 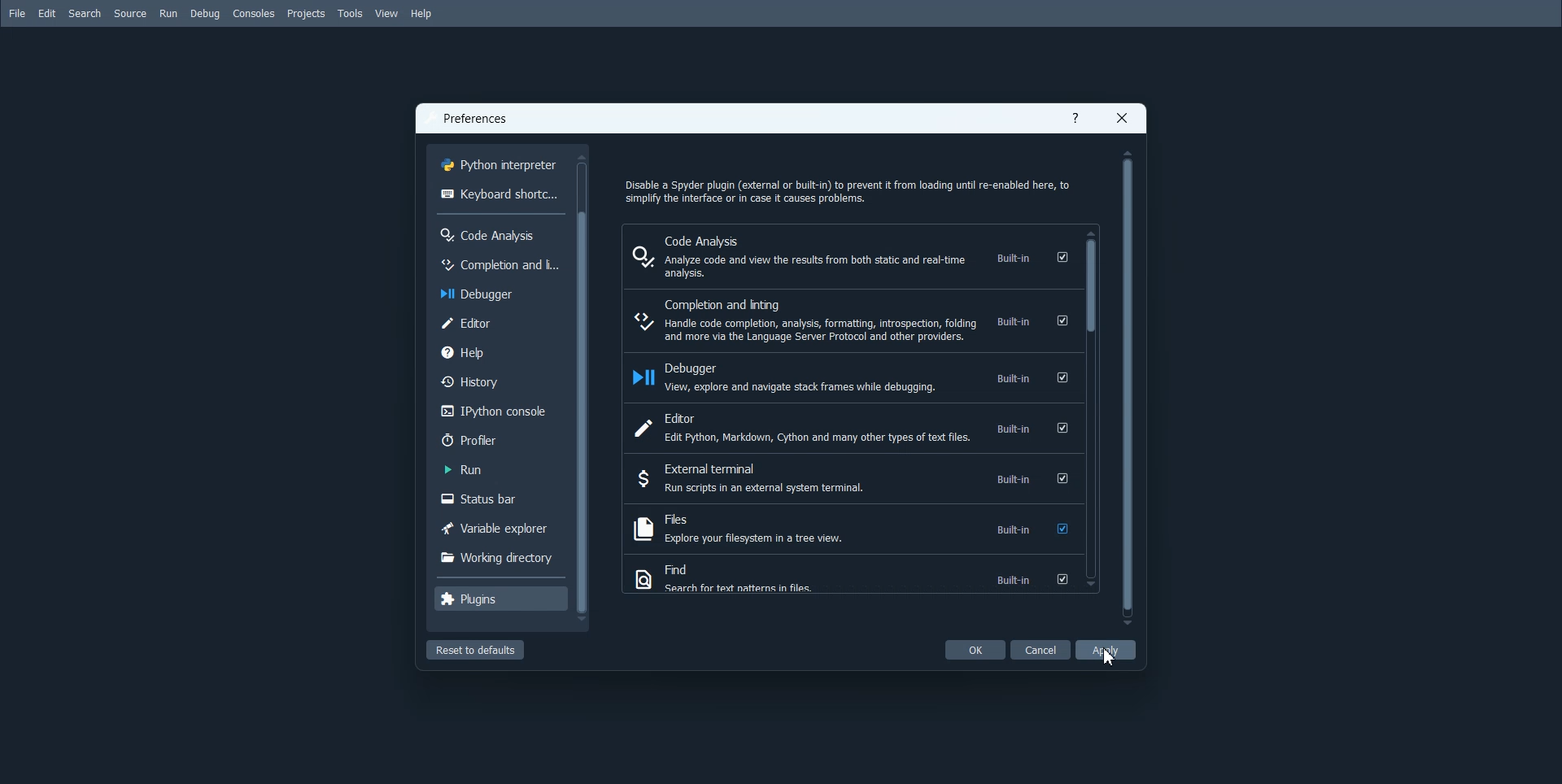 I want to click on Cursor, so click(x=1110, y=657).